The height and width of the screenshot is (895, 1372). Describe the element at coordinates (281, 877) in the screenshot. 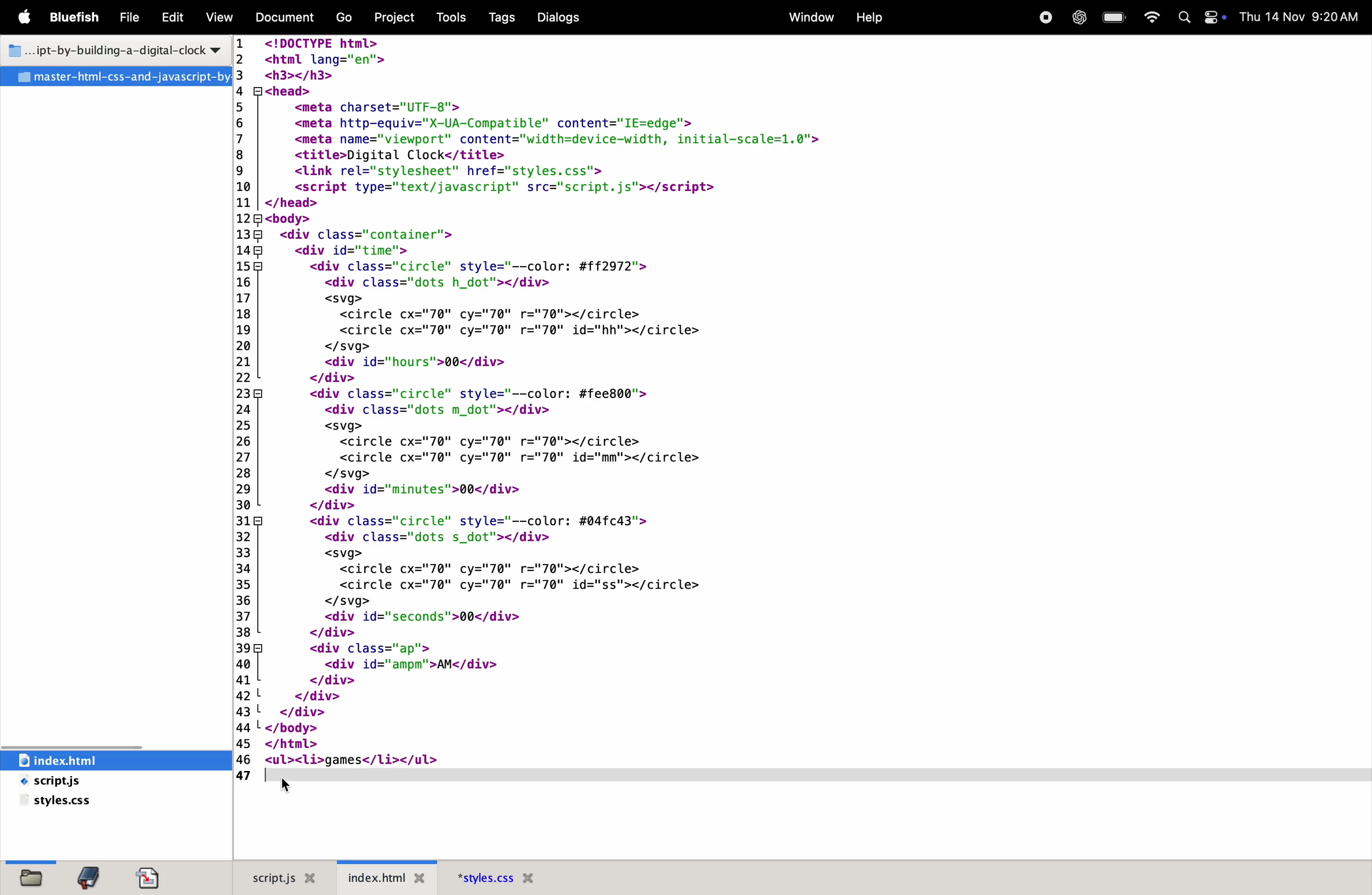

I see `script.js` at that location.